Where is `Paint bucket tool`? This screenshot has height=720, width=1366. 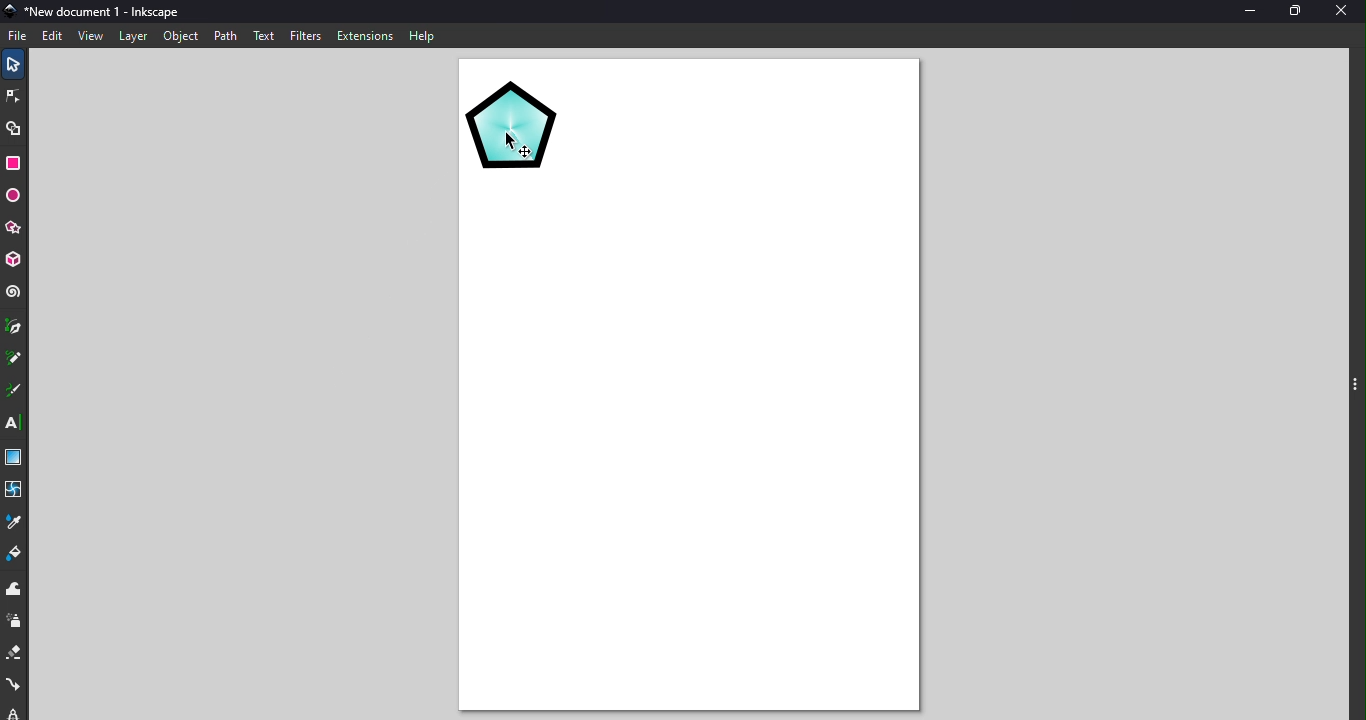 Paint bucket tool is located at coordinates (13, 556).